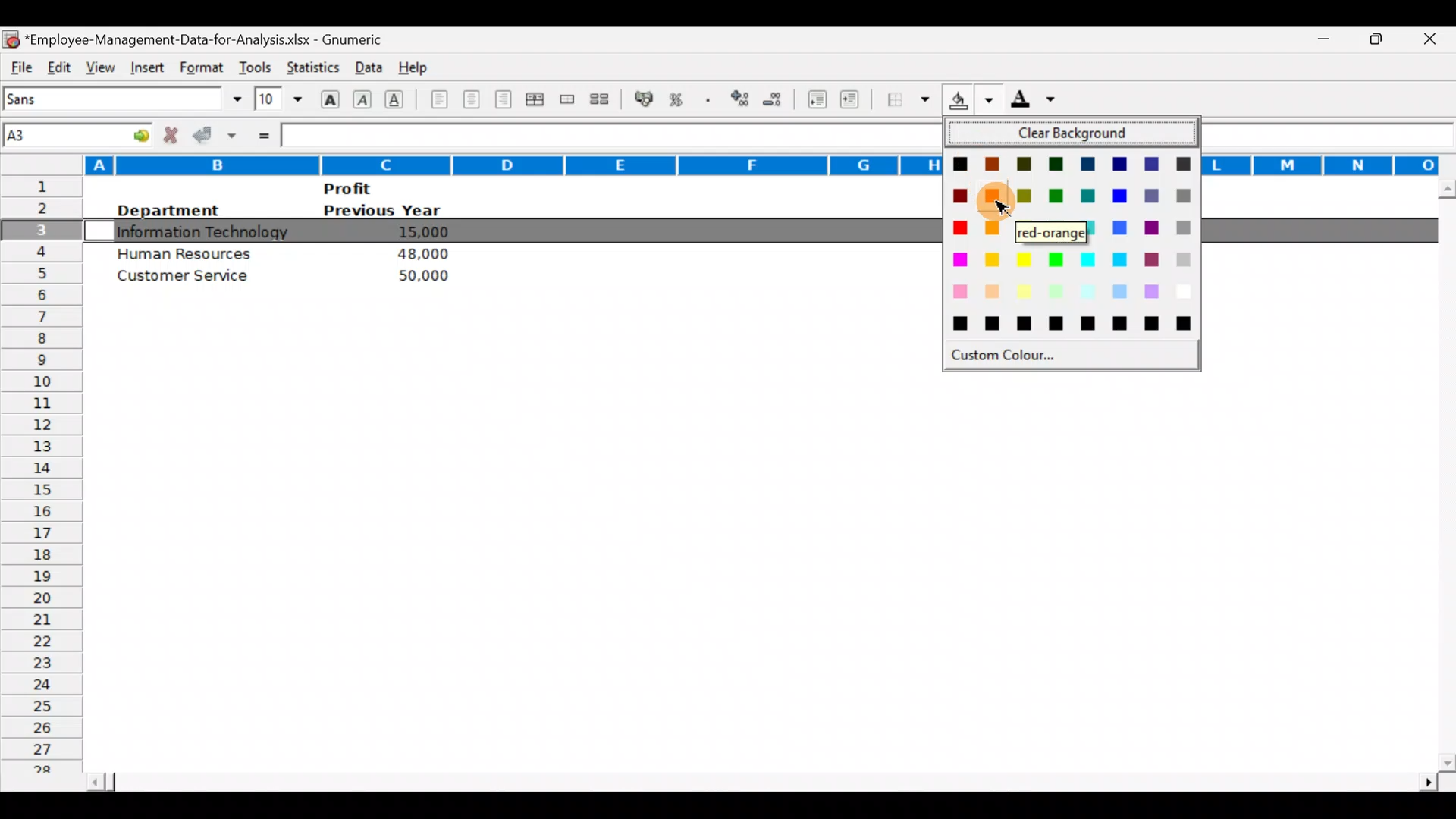  Describe the element at coordinates (365, 64) in the screenshot. I see `Data` at that location.